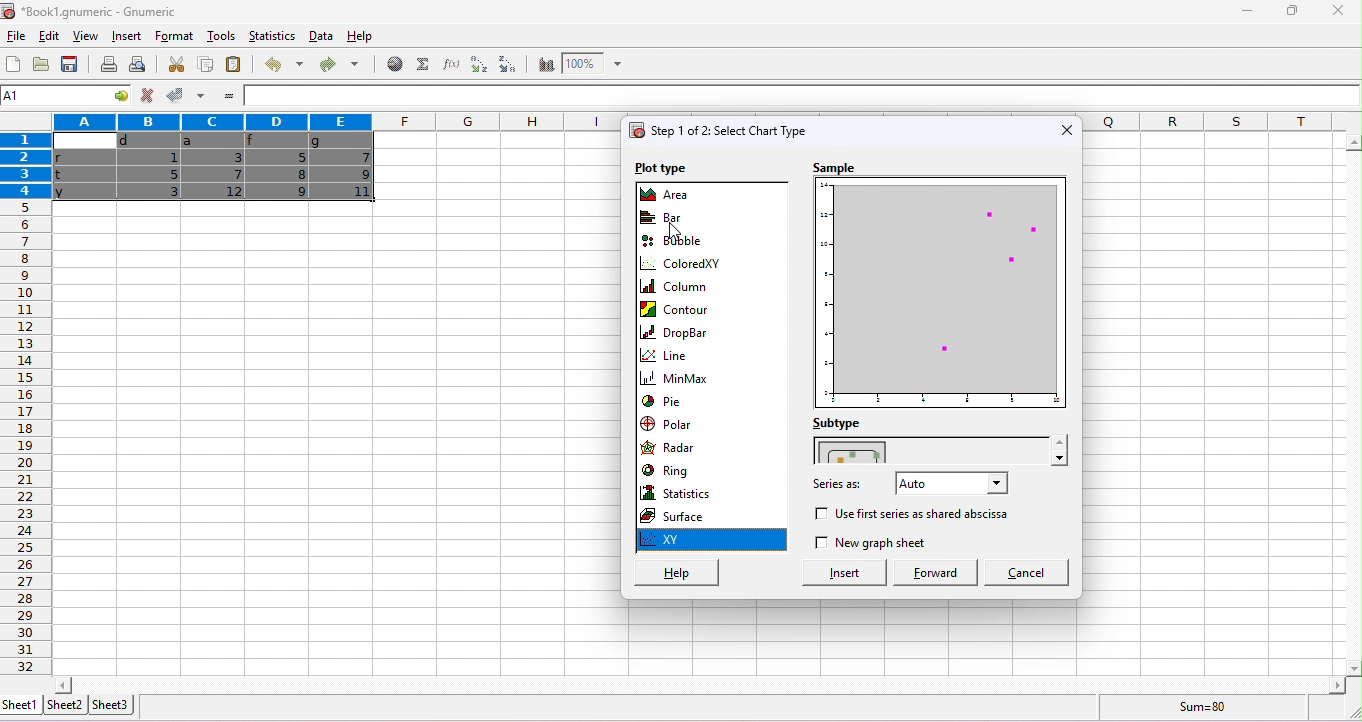 The height and width of the screenshot is (722, 1362). Describe the element at coordinates (666, 401) in the screenshot. I see `pie` at that location.